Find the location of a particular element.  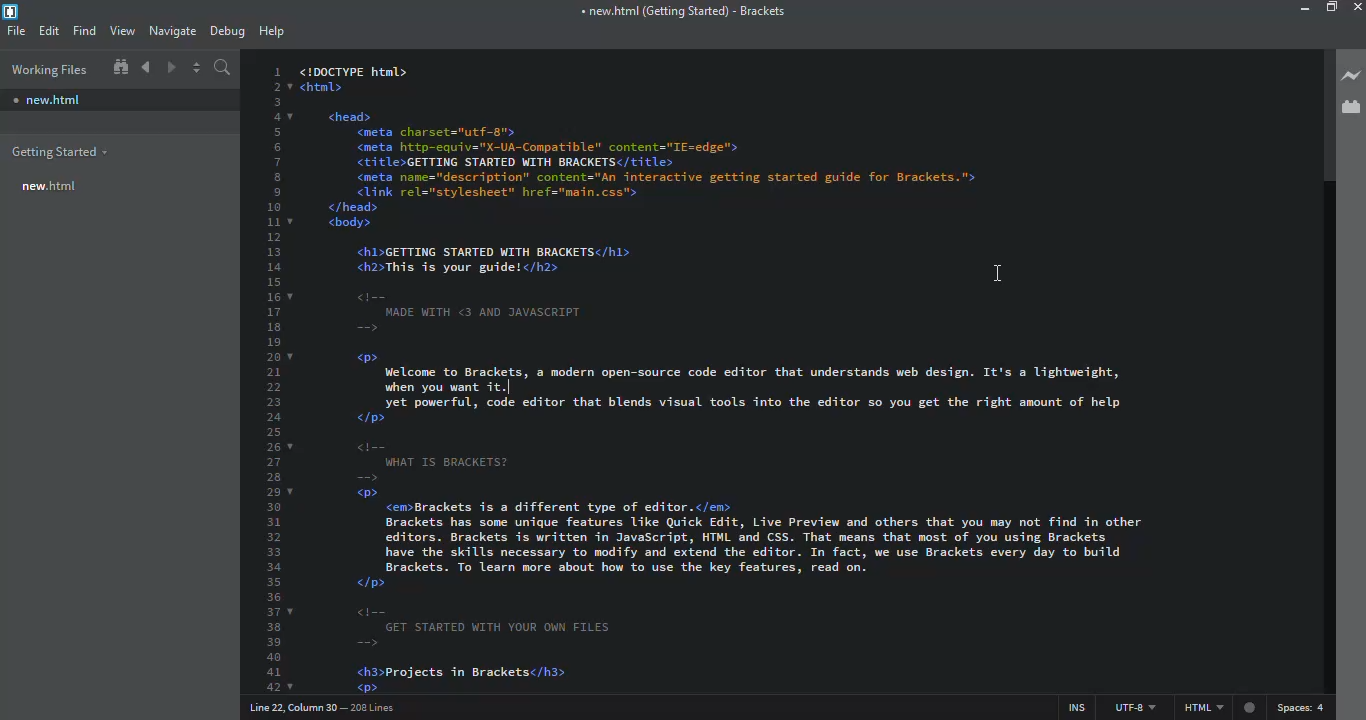

search is located at coordinates (223, 67).